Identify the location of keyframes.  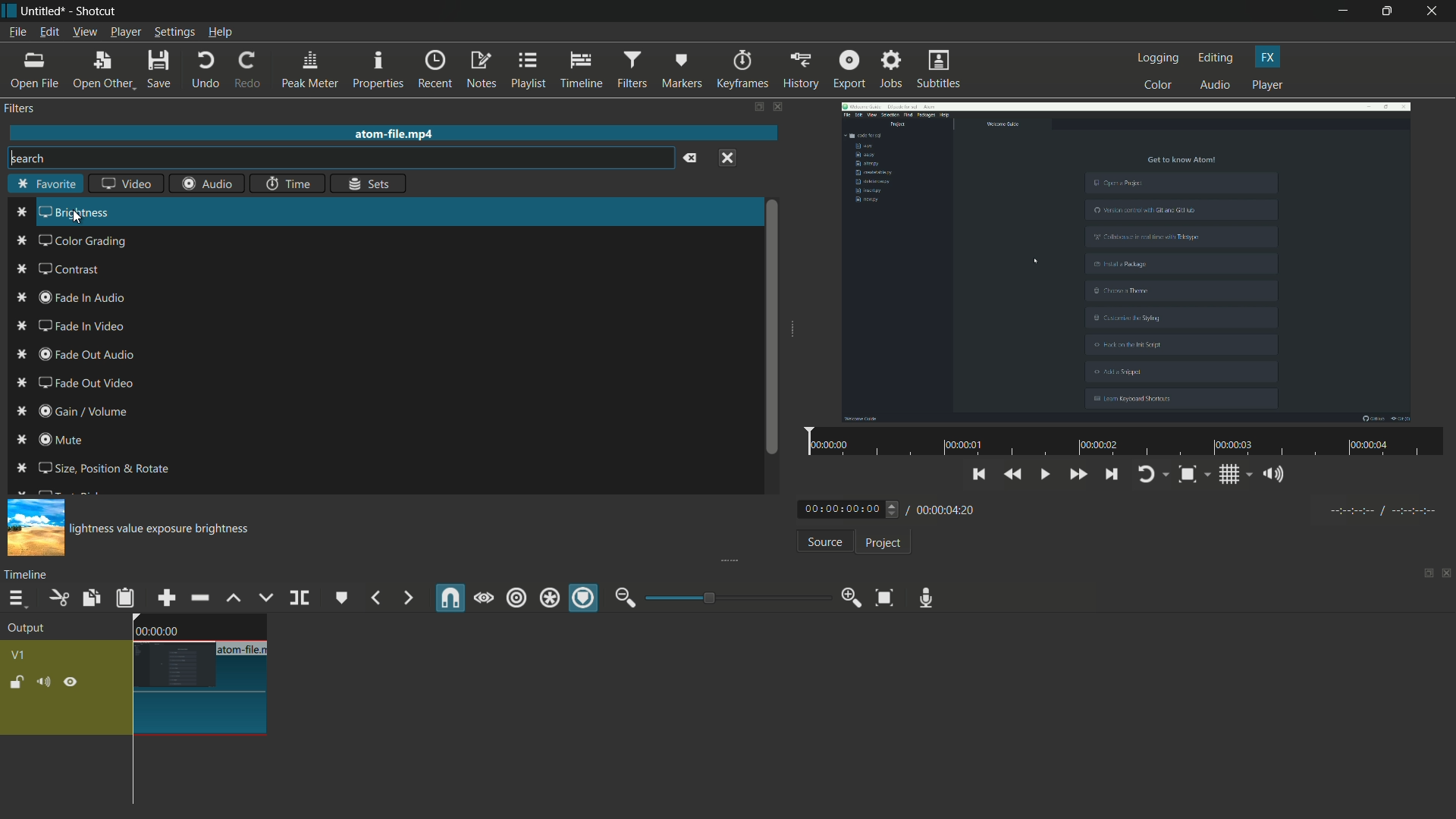
(742, 70).